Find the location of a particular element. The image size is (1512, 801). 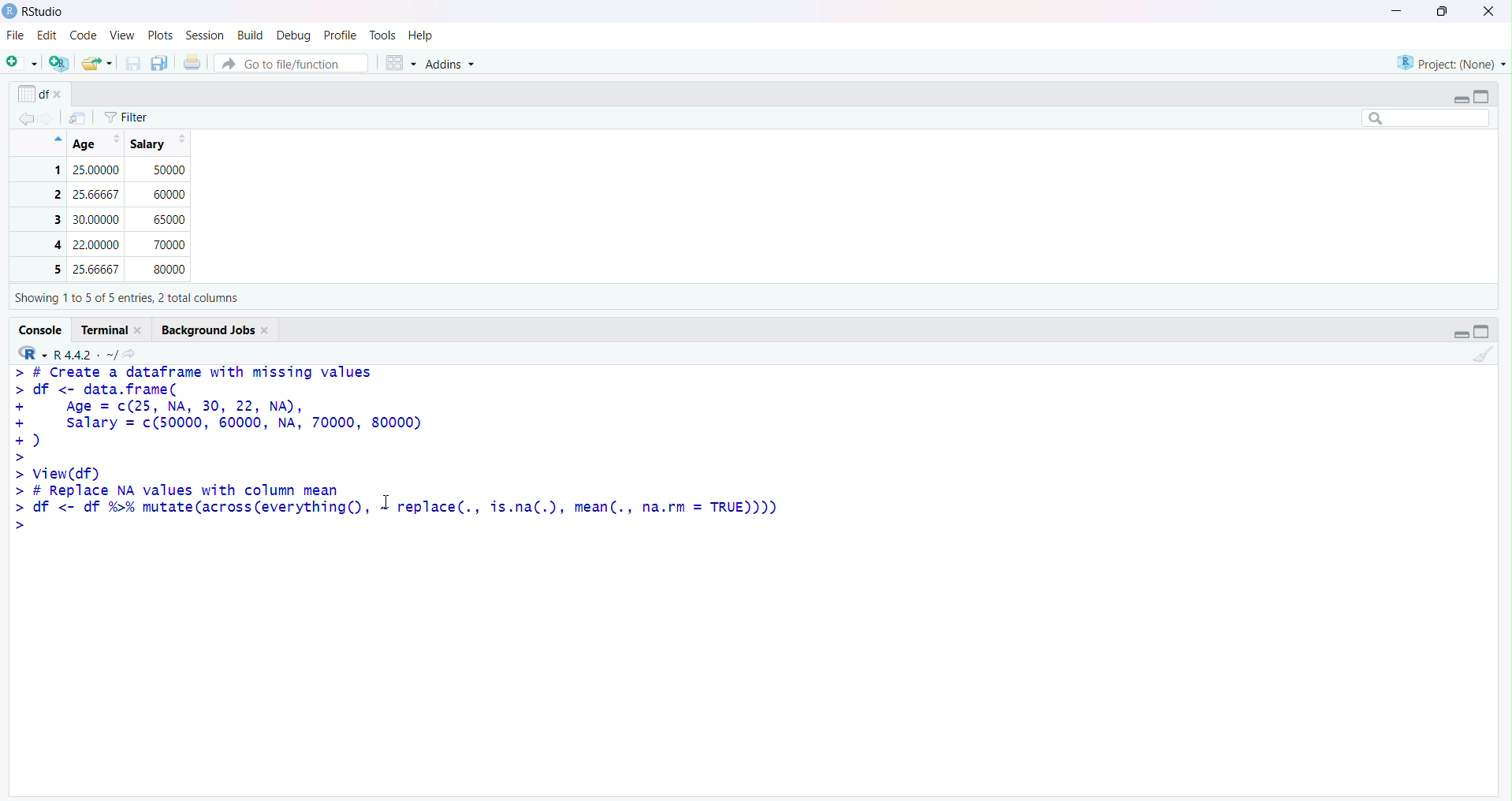

Session is located at coordinates (203, 35).